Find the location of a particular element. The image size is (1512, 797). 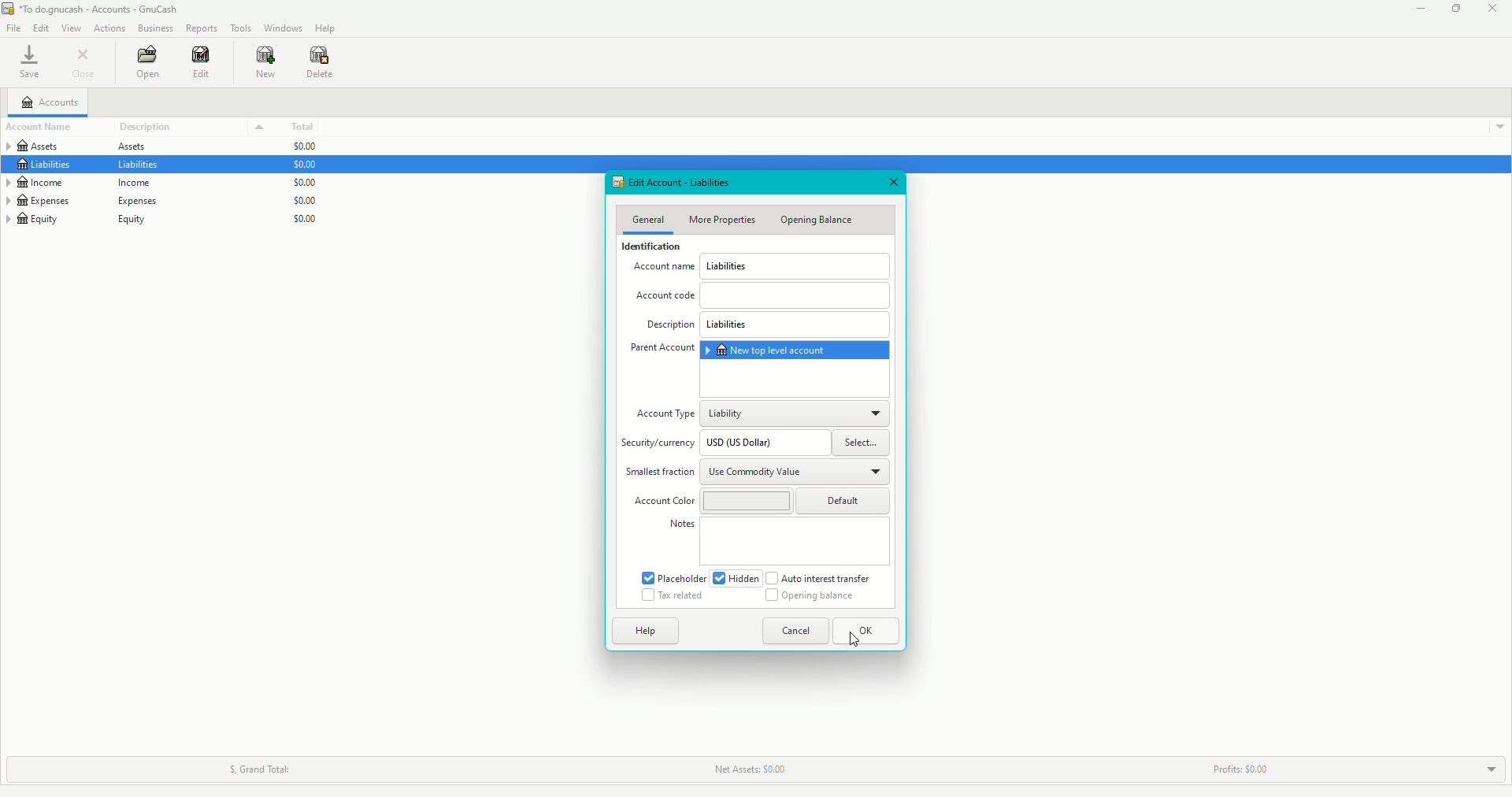

Liabilities is located at coordinates (93, 167).